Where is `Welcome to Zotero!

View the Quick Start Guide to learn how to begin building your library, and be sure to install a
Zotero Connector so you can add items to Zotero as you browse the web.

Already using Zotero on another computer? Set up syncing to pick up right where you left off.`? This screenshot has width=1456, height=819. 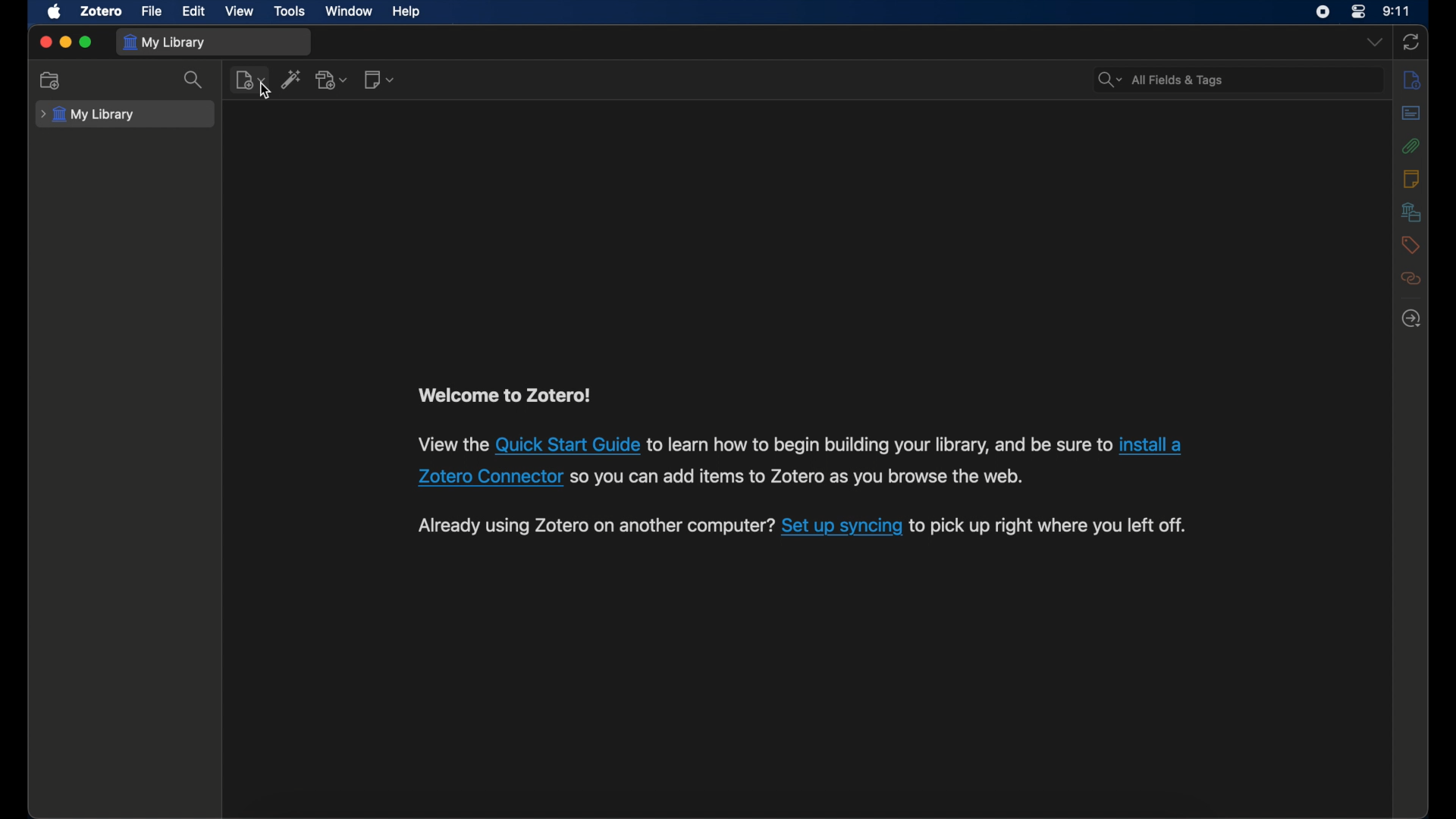 Welcome to Zotero!

View the Quick Start Guide to learn how to begin building your library, and be sure to install a
Zotero Connector so you can add items to Zotero as you browse the web.

Already using Zotero on another computer? Set up syncing to pick up right where you left off. is located at coordinates (800, 463).